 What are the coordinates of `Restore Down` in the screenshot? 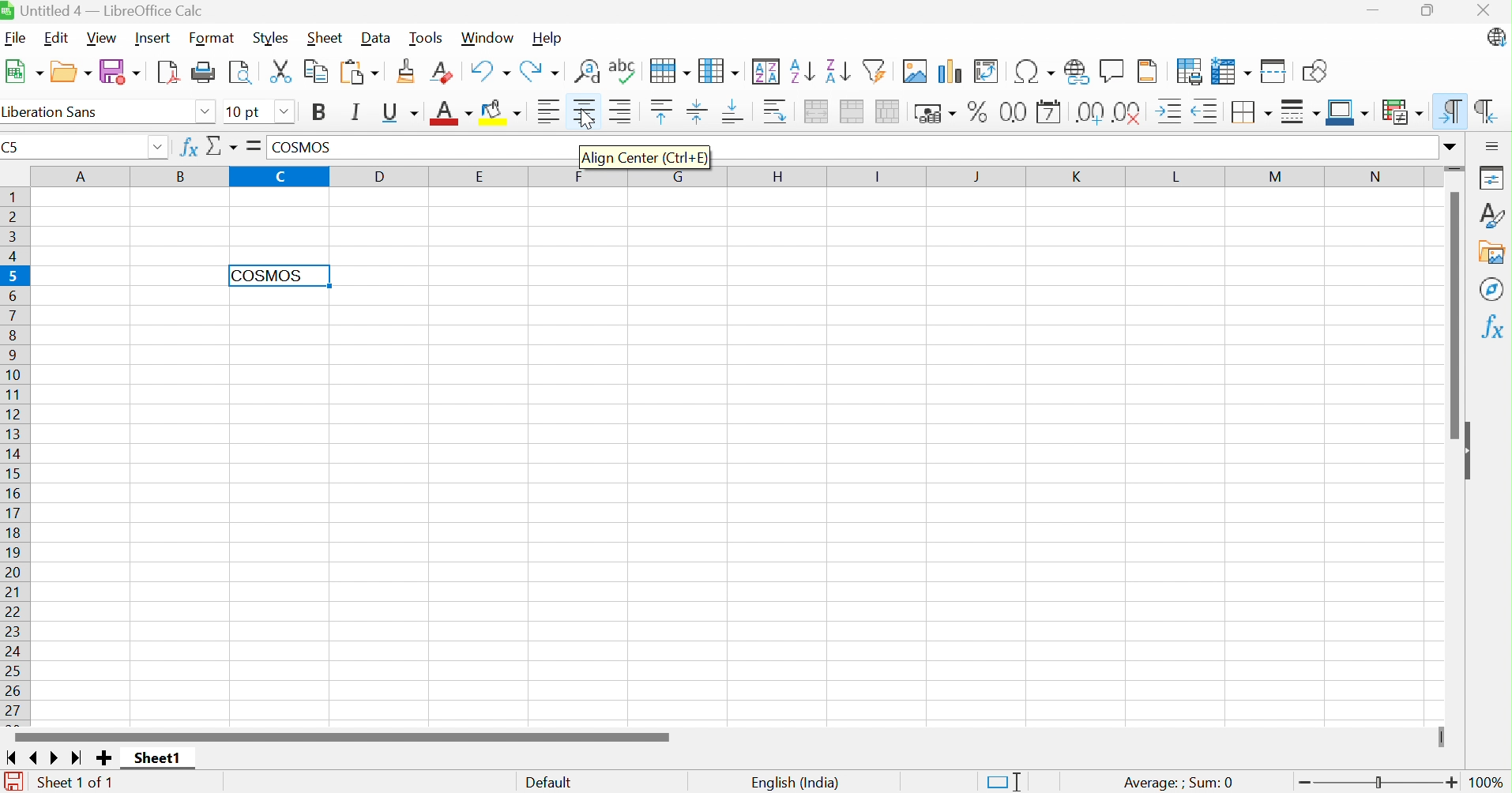 It's located at (1429, 11).